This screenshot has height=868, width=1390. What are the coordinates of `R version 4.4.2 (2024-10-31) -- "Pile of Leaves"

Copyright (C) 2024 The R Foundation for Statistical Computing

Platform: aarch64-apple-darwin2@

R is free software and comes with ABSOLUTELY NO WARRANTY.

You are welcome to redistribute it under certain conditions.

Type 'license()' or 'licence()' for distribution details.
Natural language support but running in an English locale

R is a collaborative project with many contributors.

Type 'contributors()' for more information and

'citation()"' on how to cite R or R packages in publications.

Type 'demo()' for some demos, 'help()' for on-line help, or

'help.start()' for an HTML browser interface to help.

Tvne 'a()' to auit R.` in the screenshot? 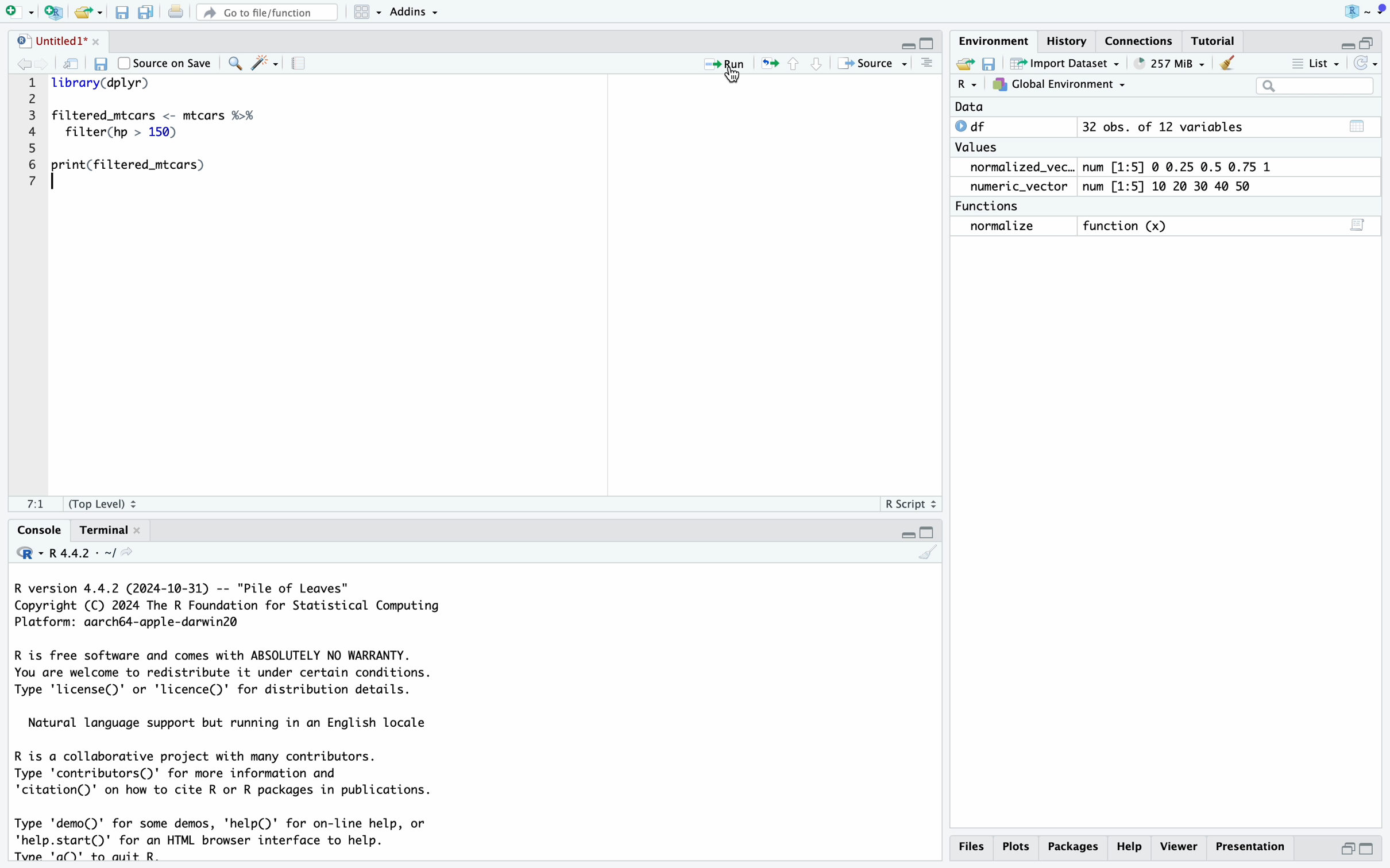 It's located at (228, 721).